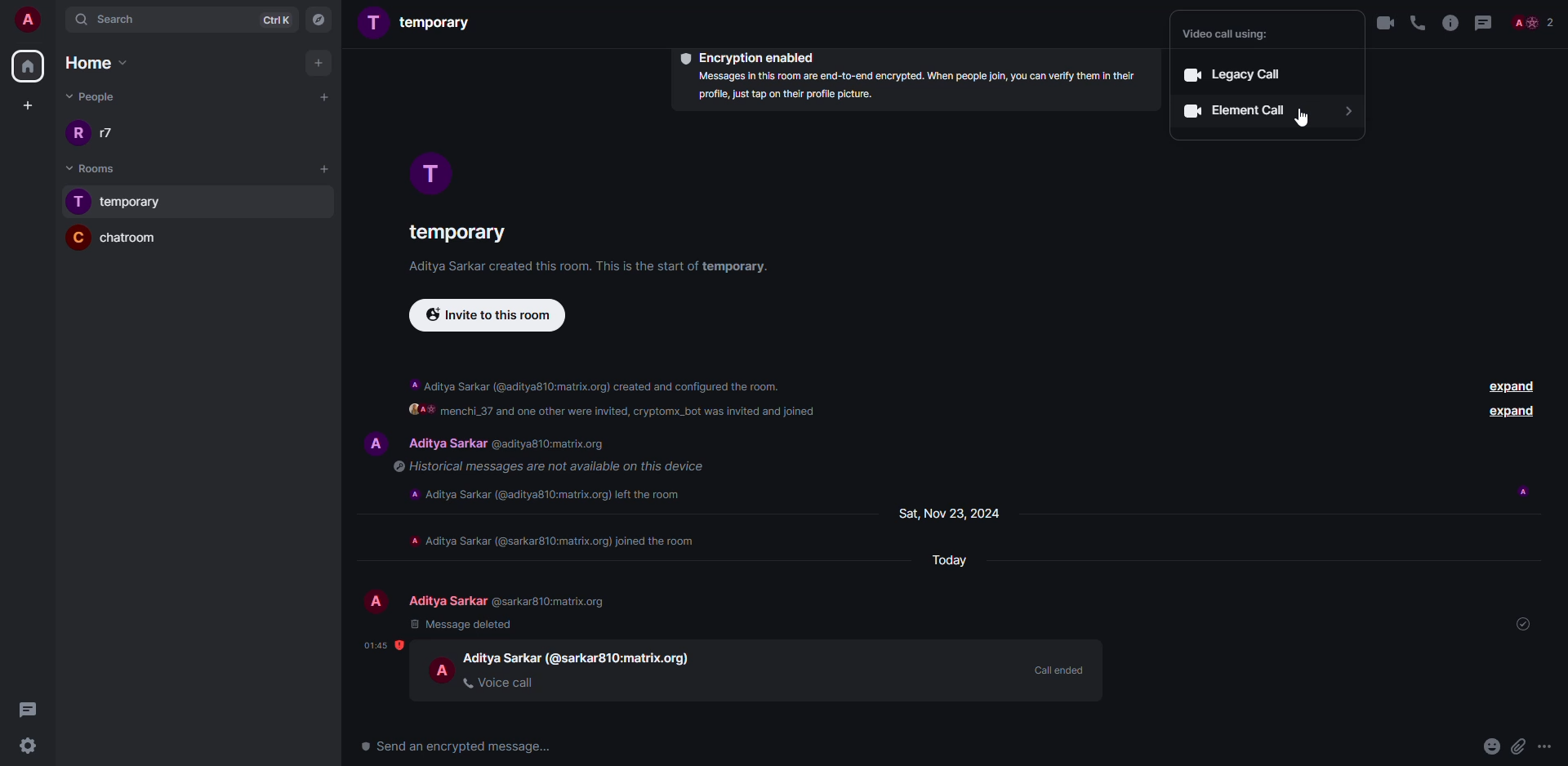  I want to click on profile, so click(375, 21).